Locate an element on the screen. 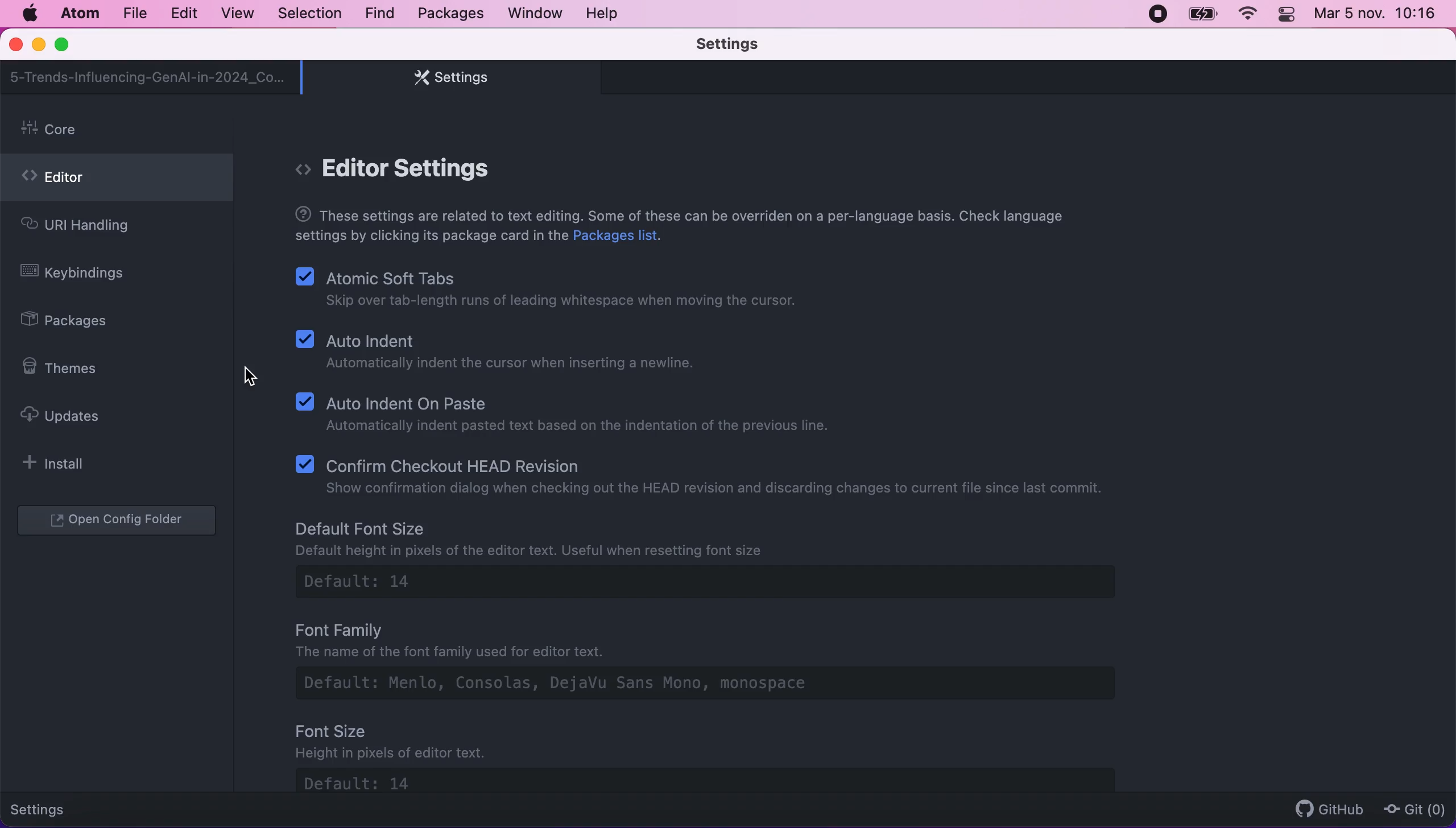 The width and height of the screenshot is (1456, 828). maximize is located at coordinates (67, 45).